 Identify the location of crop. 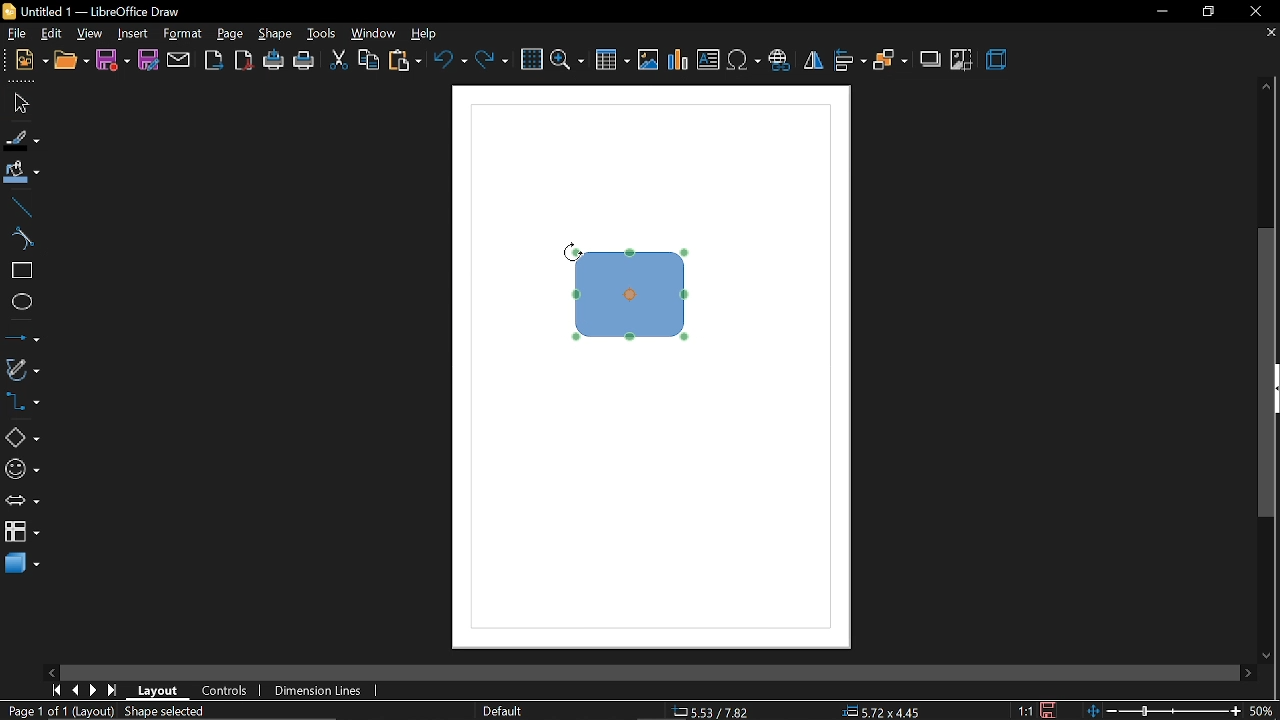
(963, 59).